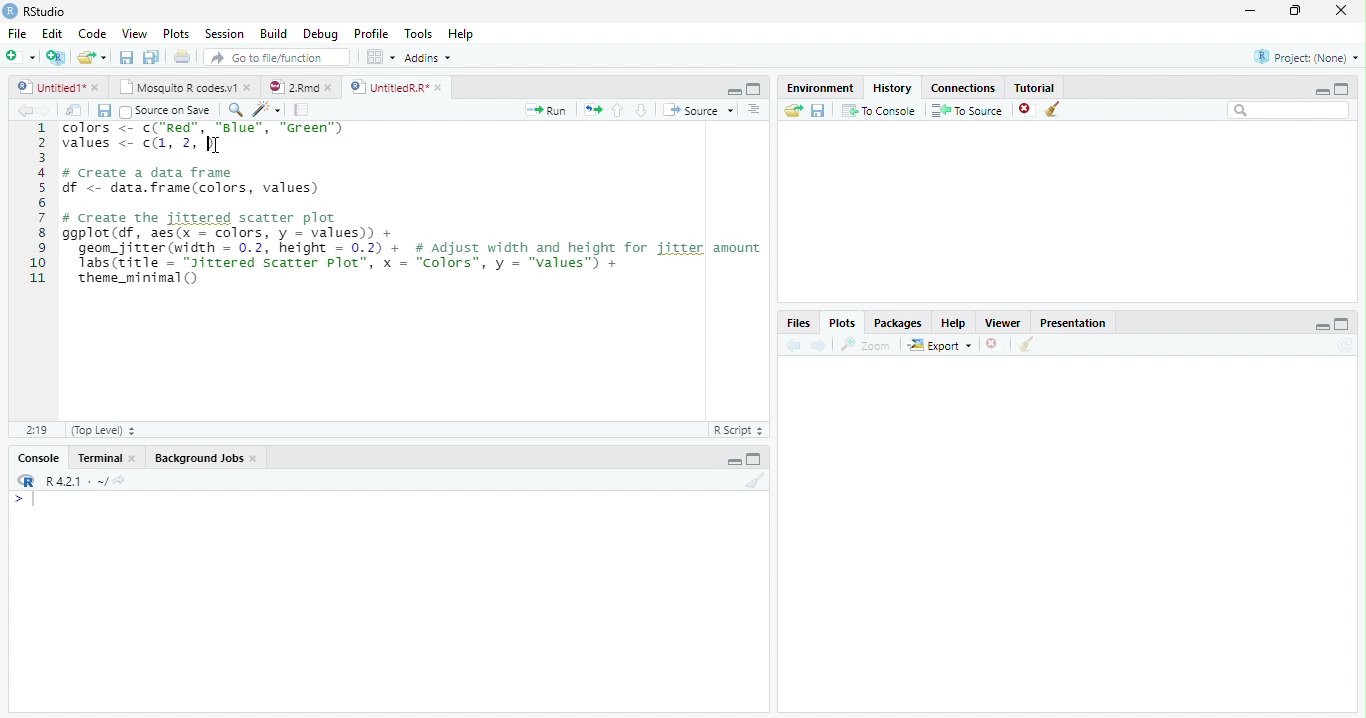  I want to click on R Script, so click(739, 430).